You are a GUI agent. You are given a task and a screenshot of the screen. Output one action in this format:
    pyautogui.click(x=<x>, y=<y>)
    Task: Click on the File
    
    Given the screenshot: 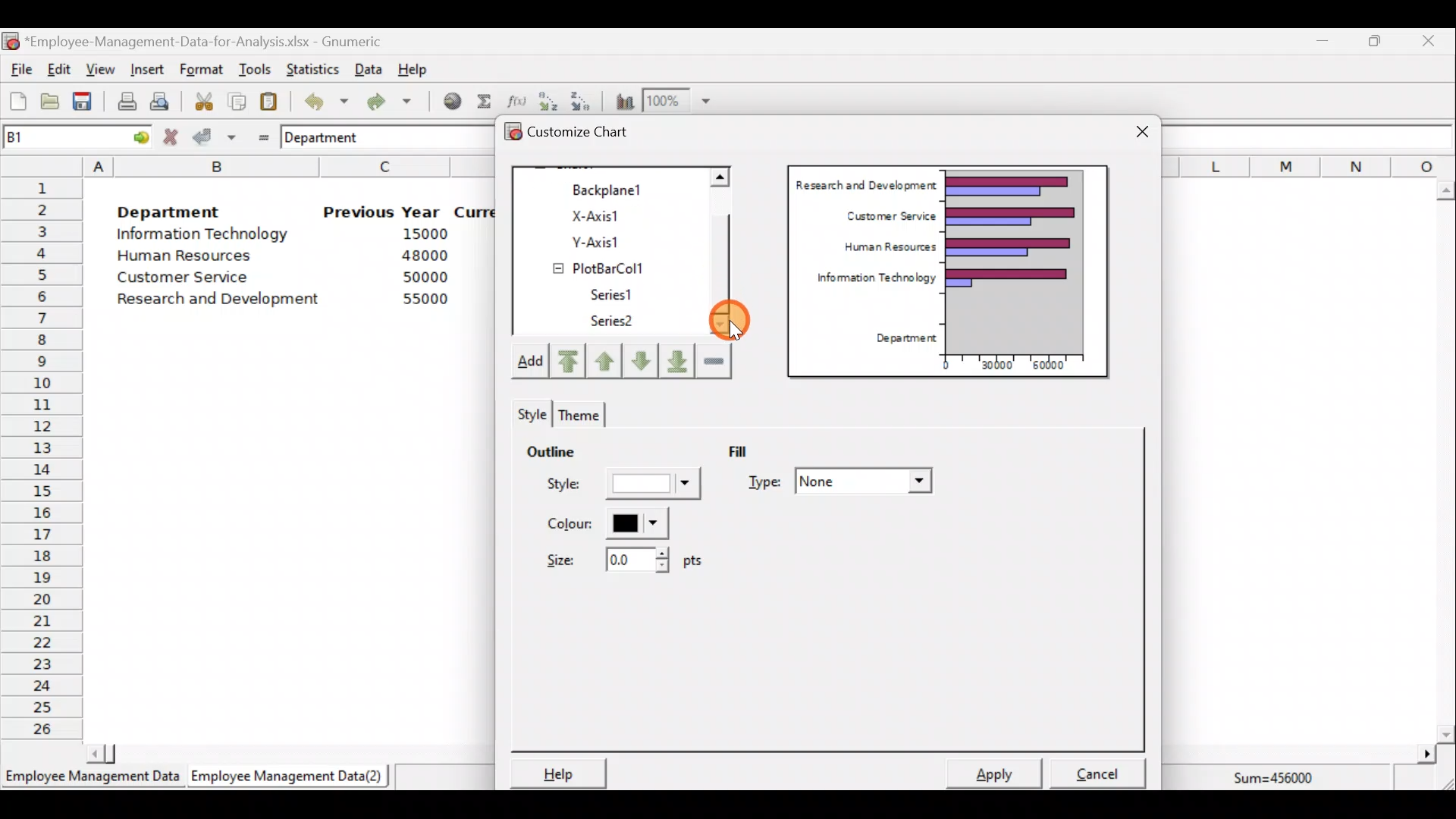 What is the action you would take?
    pyautogui.click(x=19, y=70)
    